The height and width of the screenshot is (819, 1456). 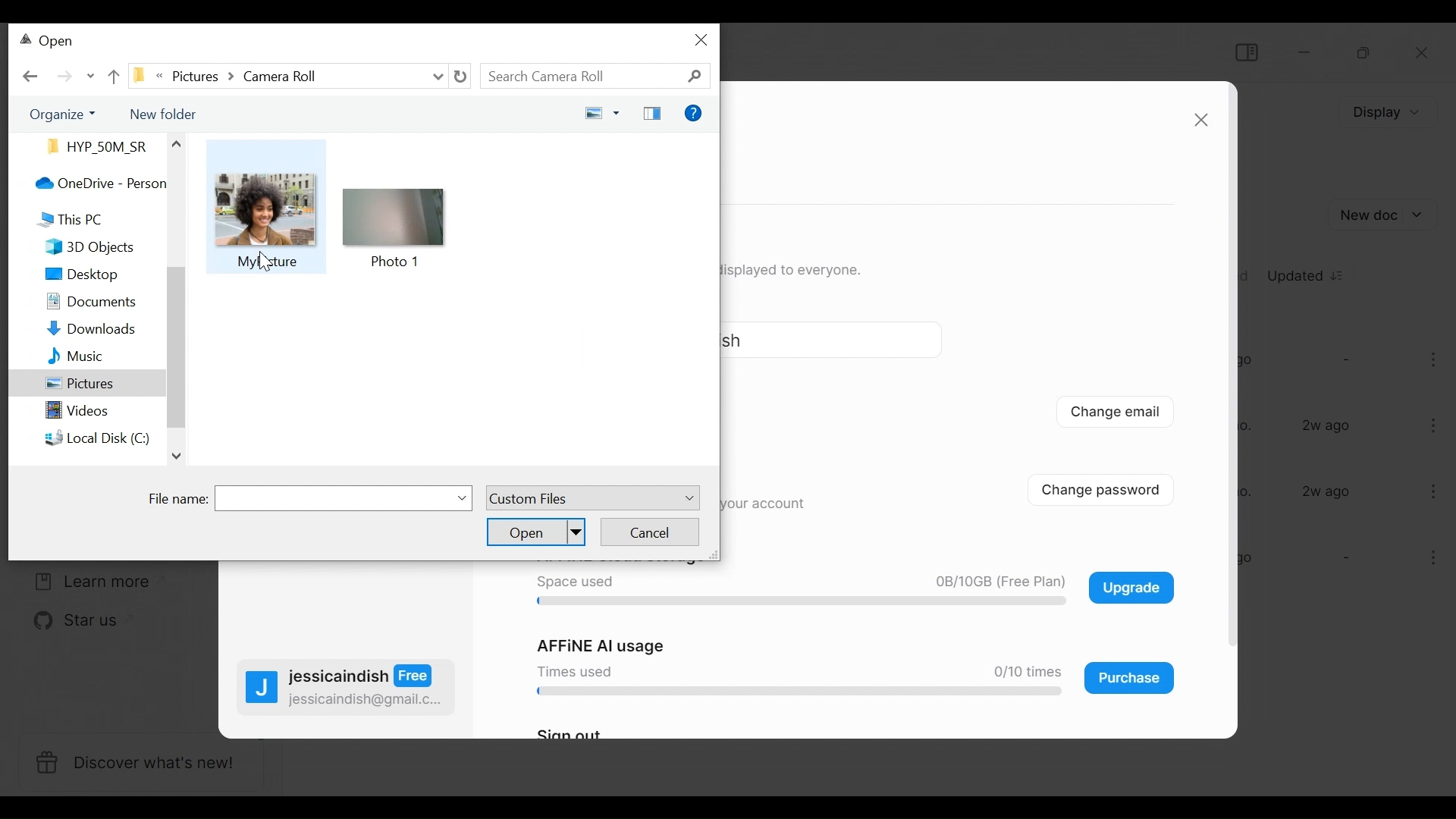 What do you see at coordinates (1423, 55) in the screenshot?
I see `Close` at bounding box center [1423, 55].